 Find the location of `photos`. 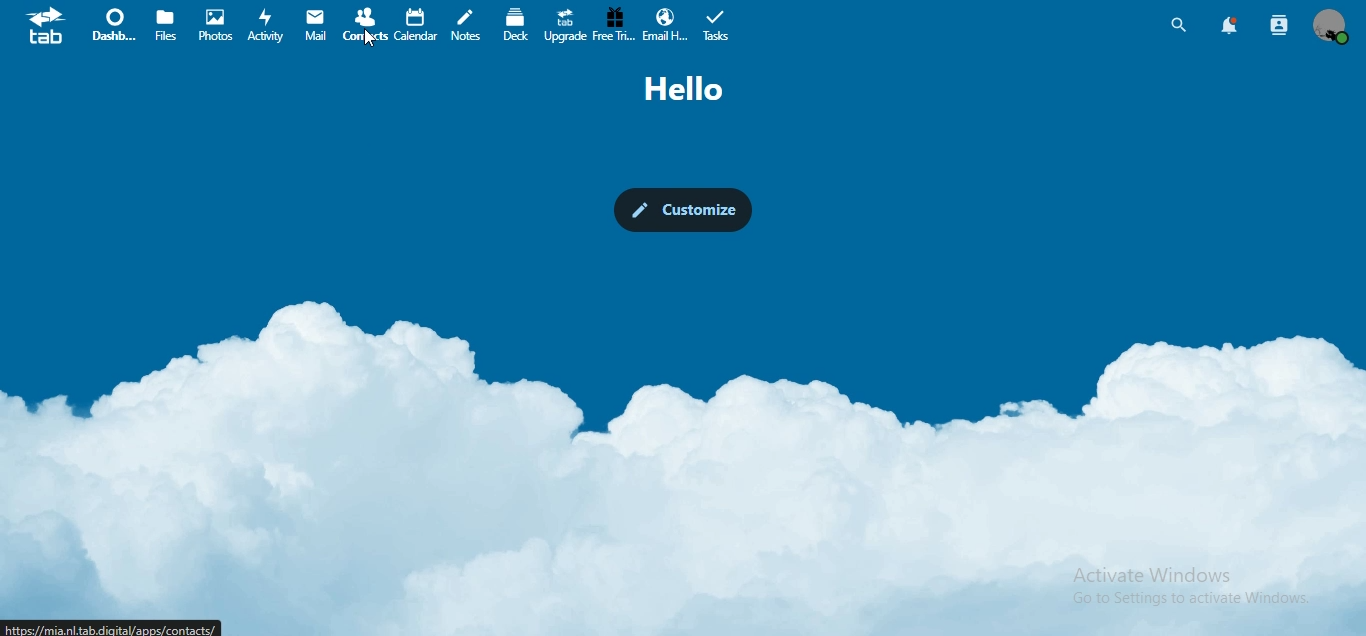

photos is located at coordinates (213, 24).